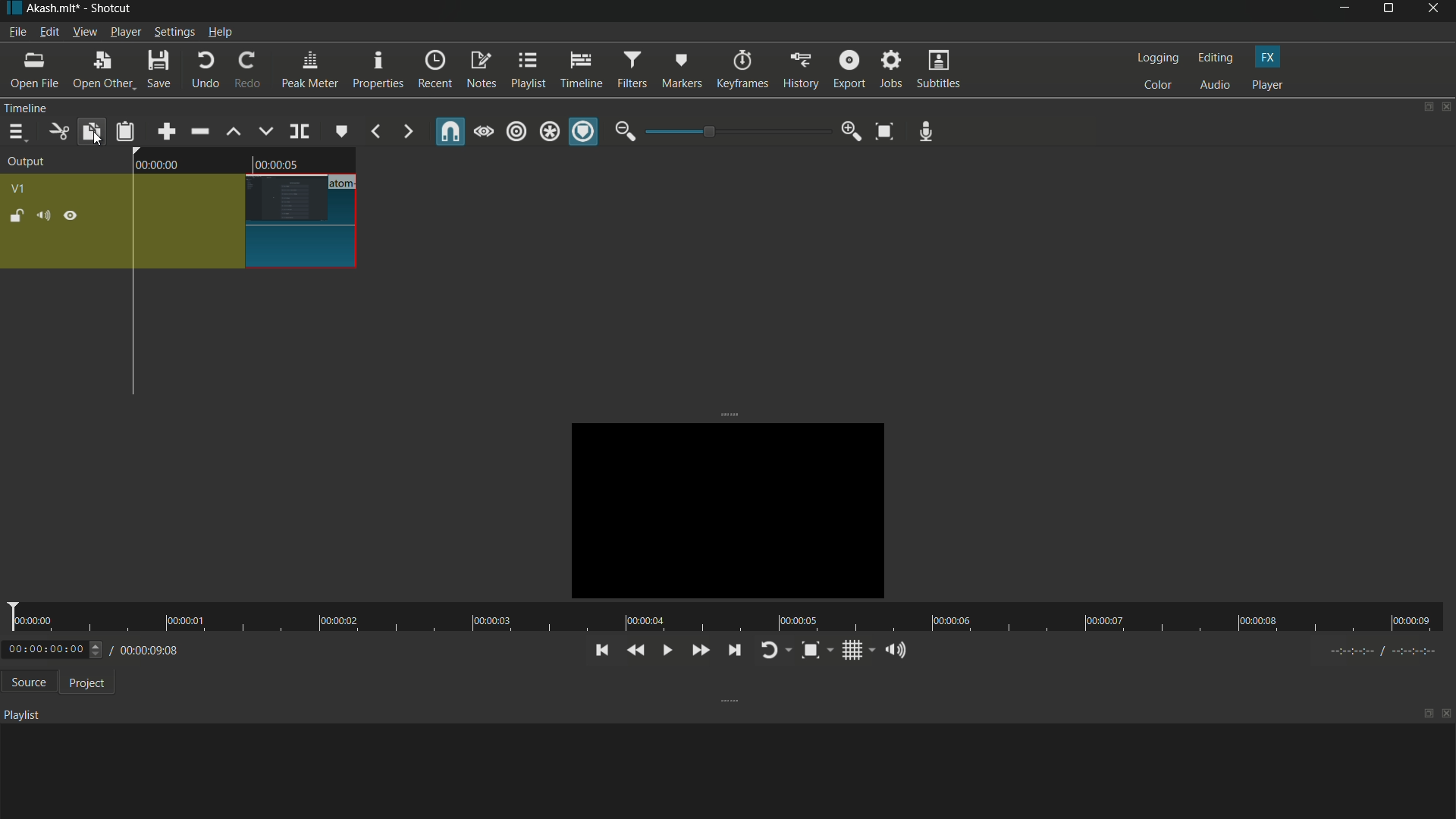  I want to click on next marker, so click(407, 133).